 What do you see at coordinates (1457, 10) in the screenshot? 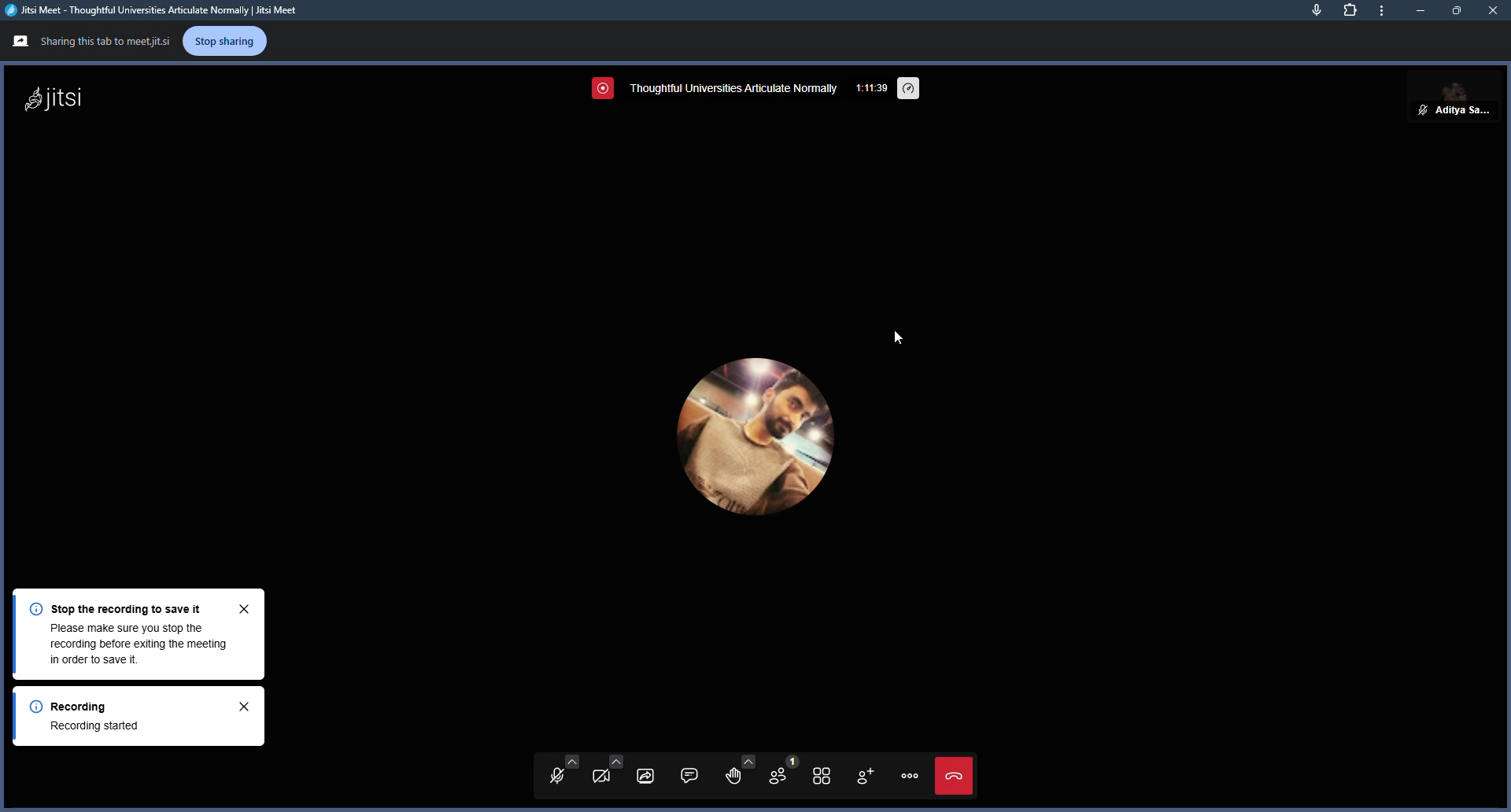
I see `maximize` at bounding box center [1457, 10].